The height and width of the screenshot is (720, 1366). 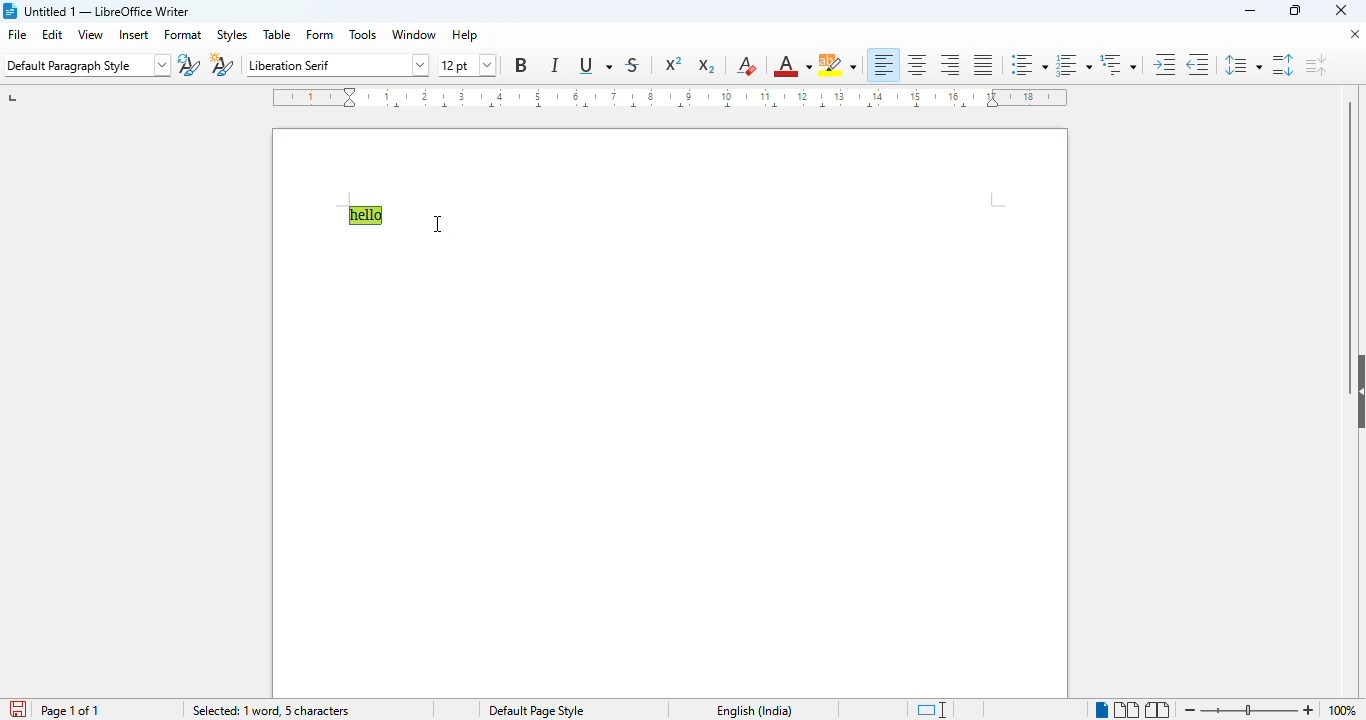 What do you see at coordinates (321, 34) in the screenshot?
I see `form` at bounding box center [321, 34].